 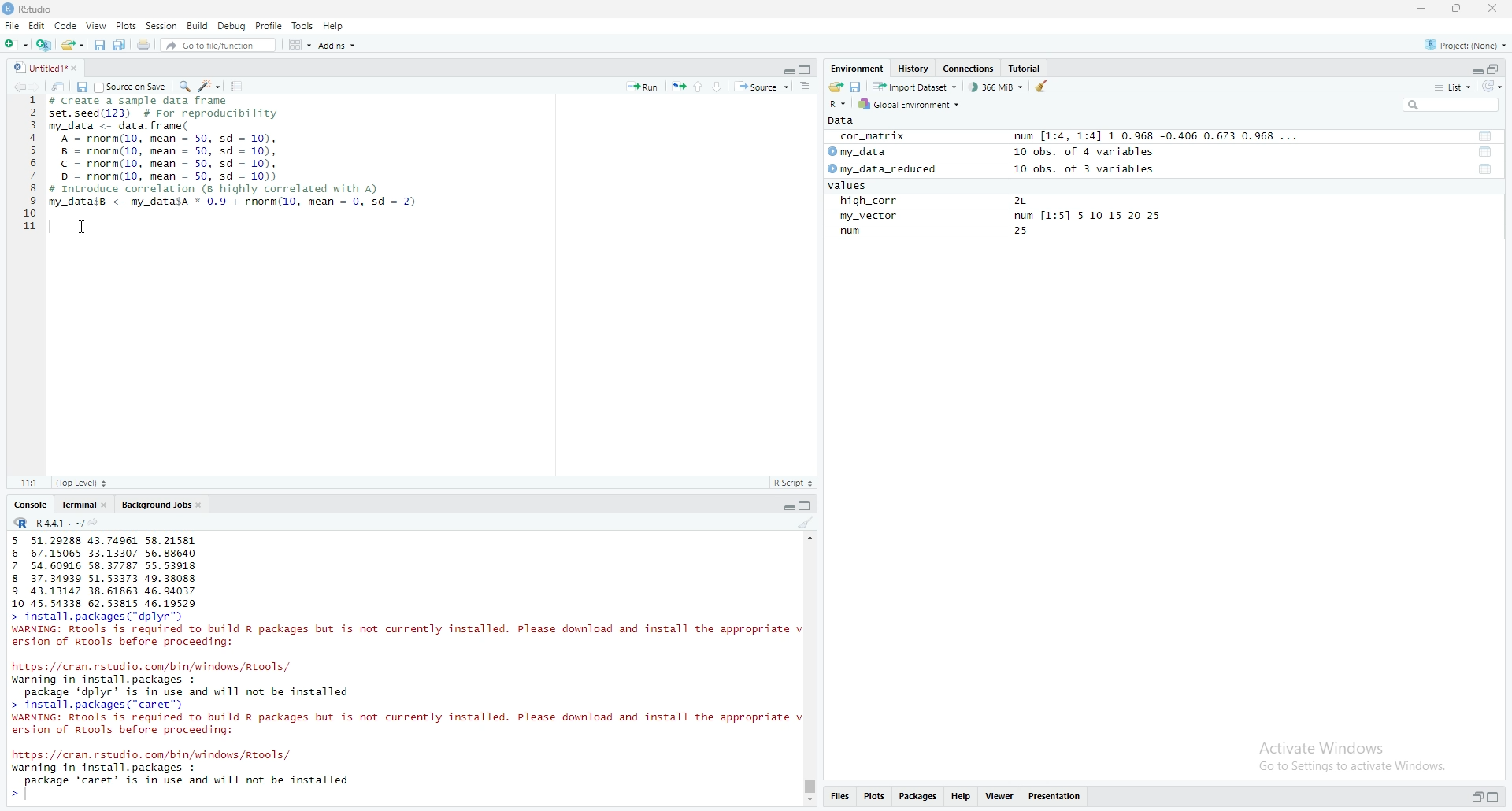 I want to click on R, so click(x=21, y=523).